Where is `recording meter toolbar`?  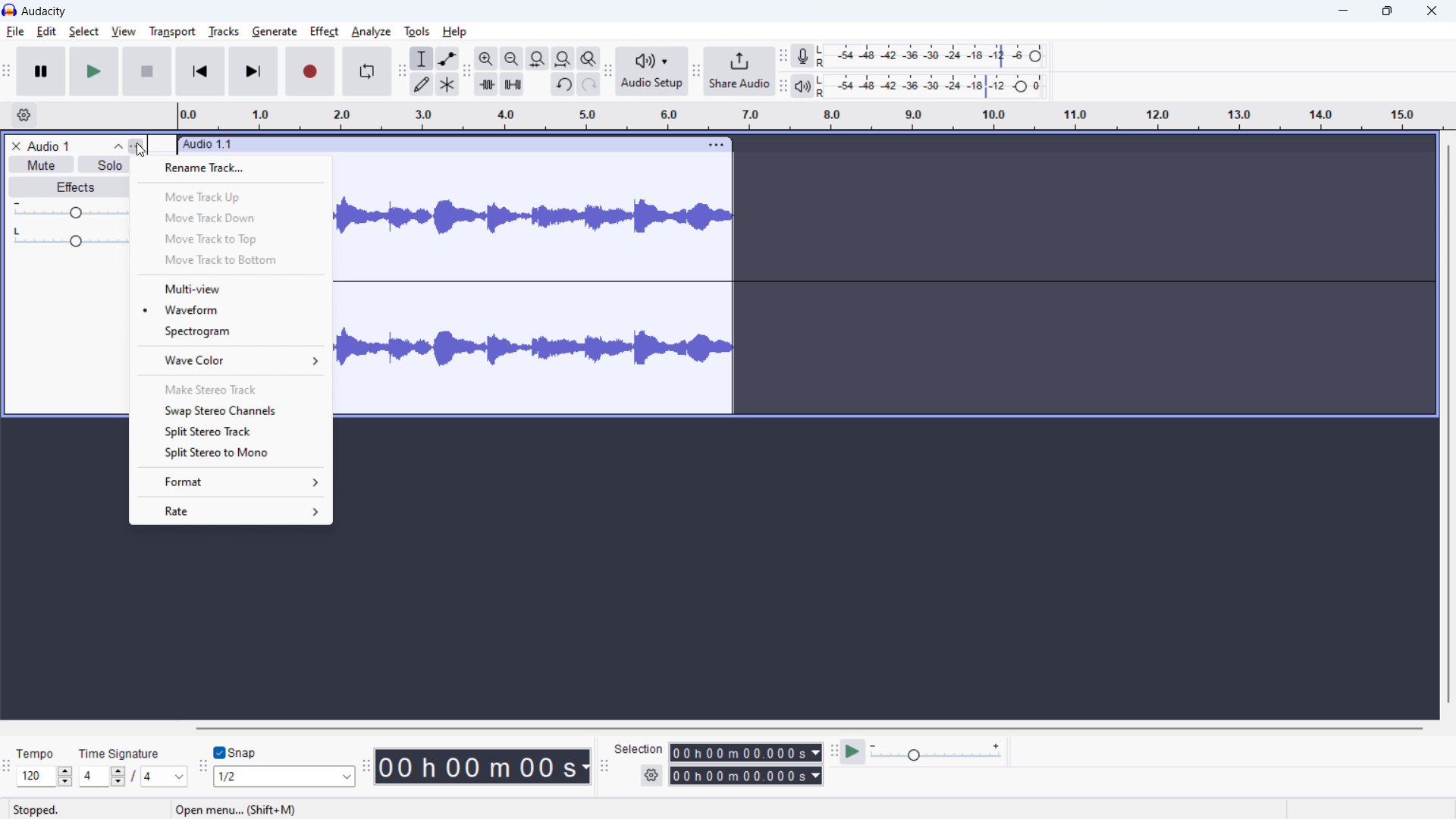
recording meter toolbar is located at coordinates (783, 55).